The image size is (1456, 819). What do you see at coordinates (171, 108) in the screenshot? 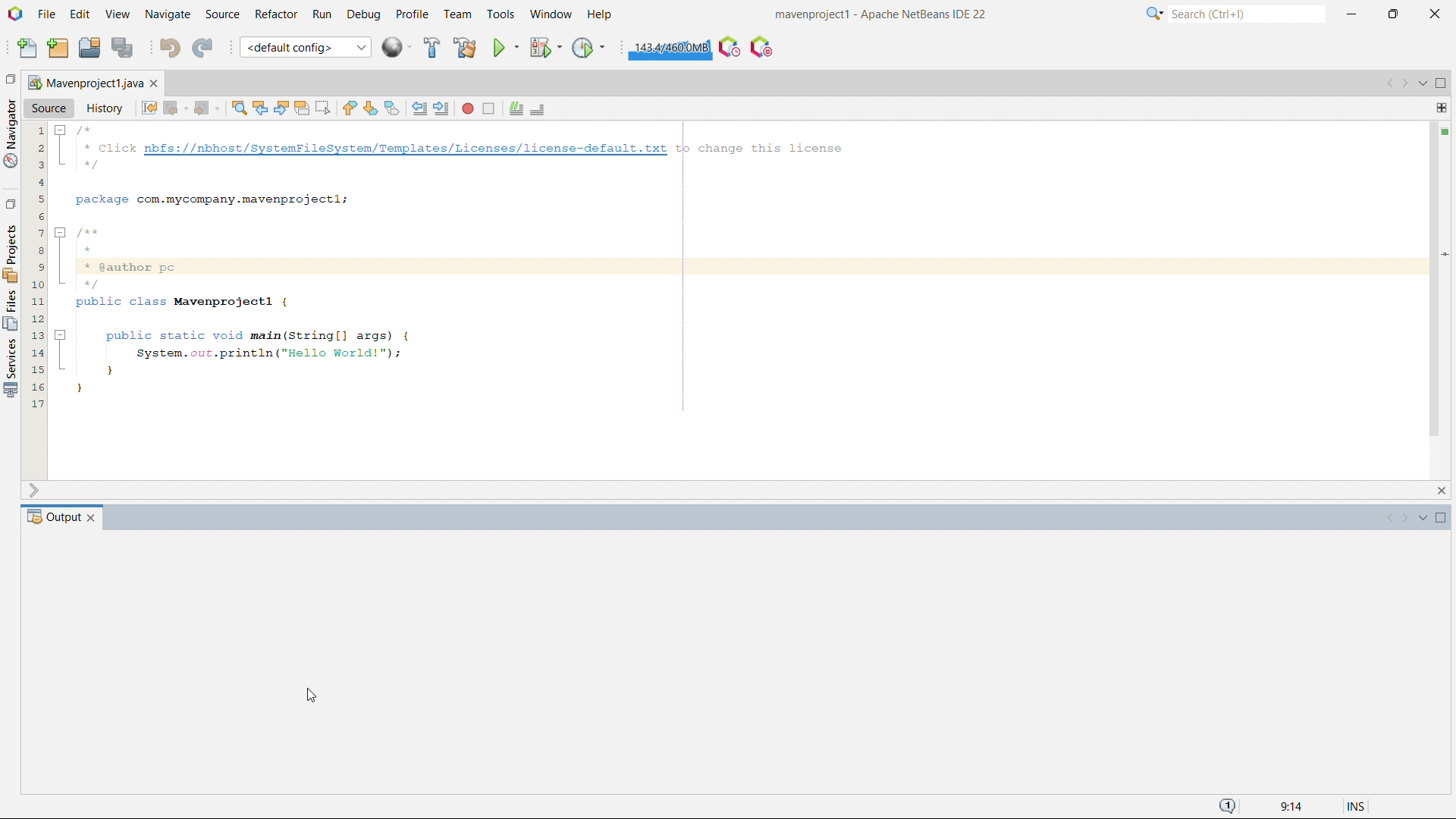
I see `back` at bounding box center [171, 108].